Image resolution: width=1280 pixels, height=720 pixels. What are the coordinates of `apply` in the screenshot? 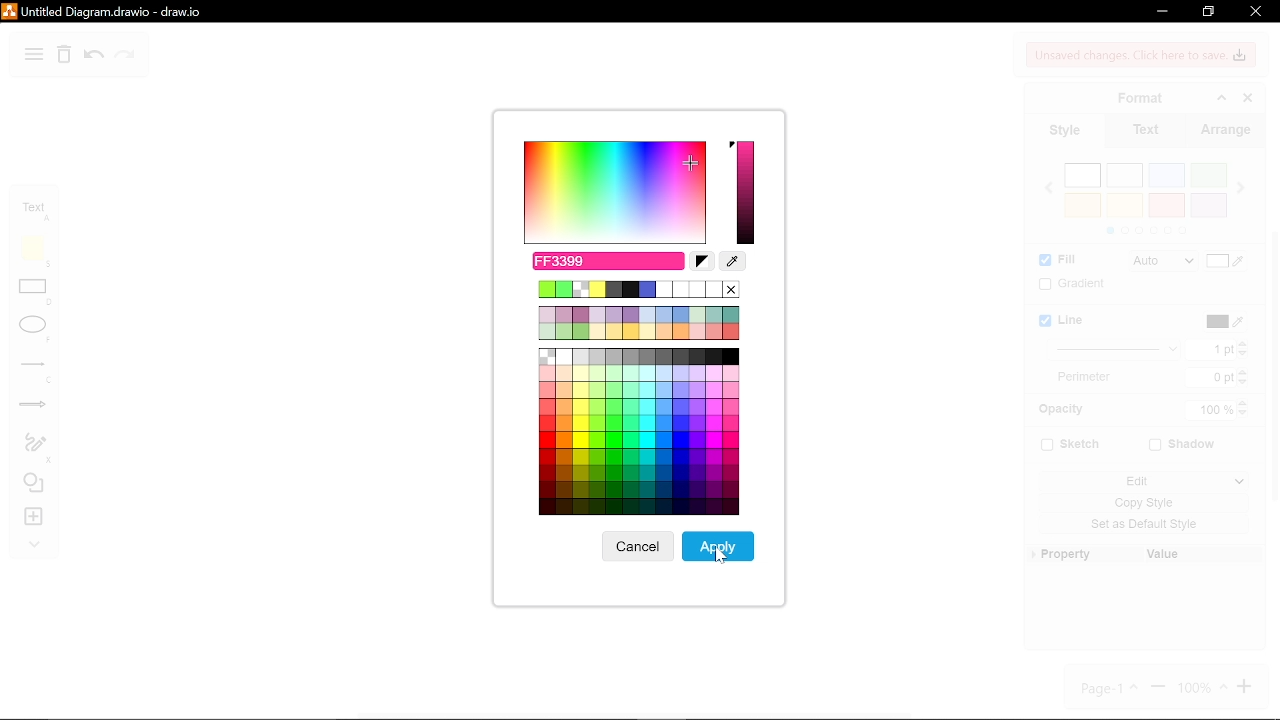 It's located at (720, 546).